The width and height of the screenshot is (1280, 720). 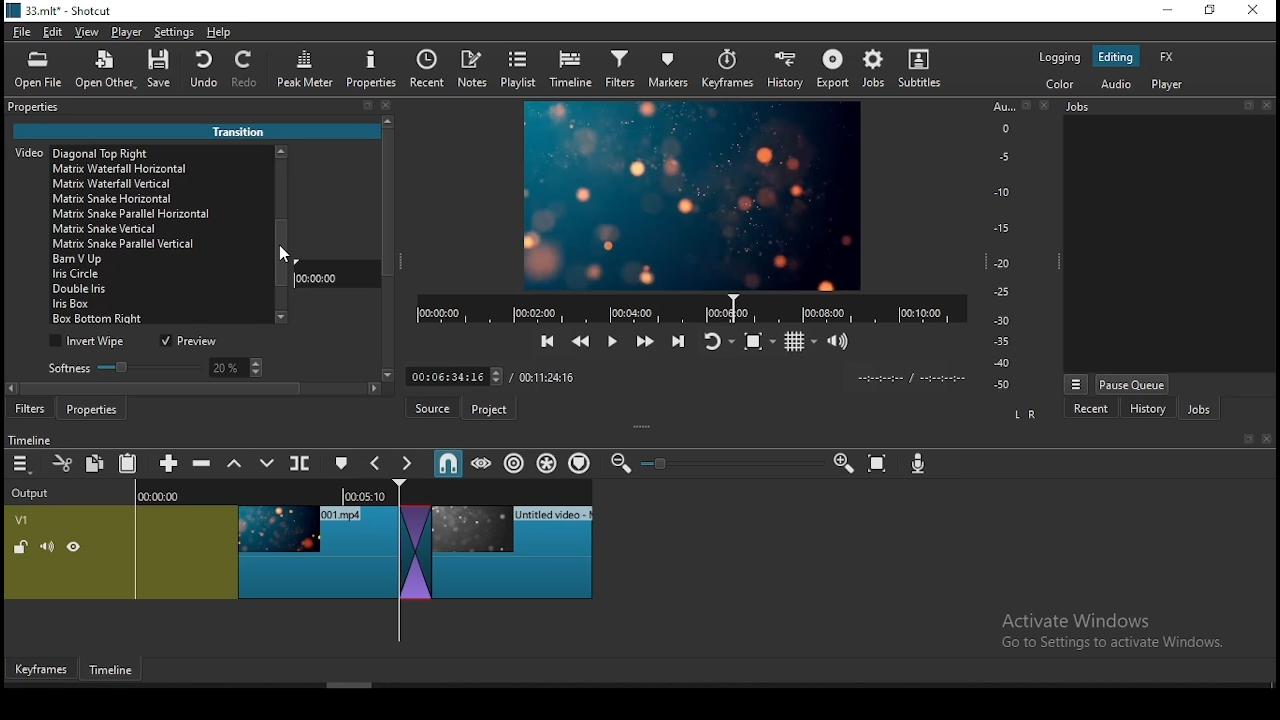 I want to click on scroll bar, so click(x=201, y=391).